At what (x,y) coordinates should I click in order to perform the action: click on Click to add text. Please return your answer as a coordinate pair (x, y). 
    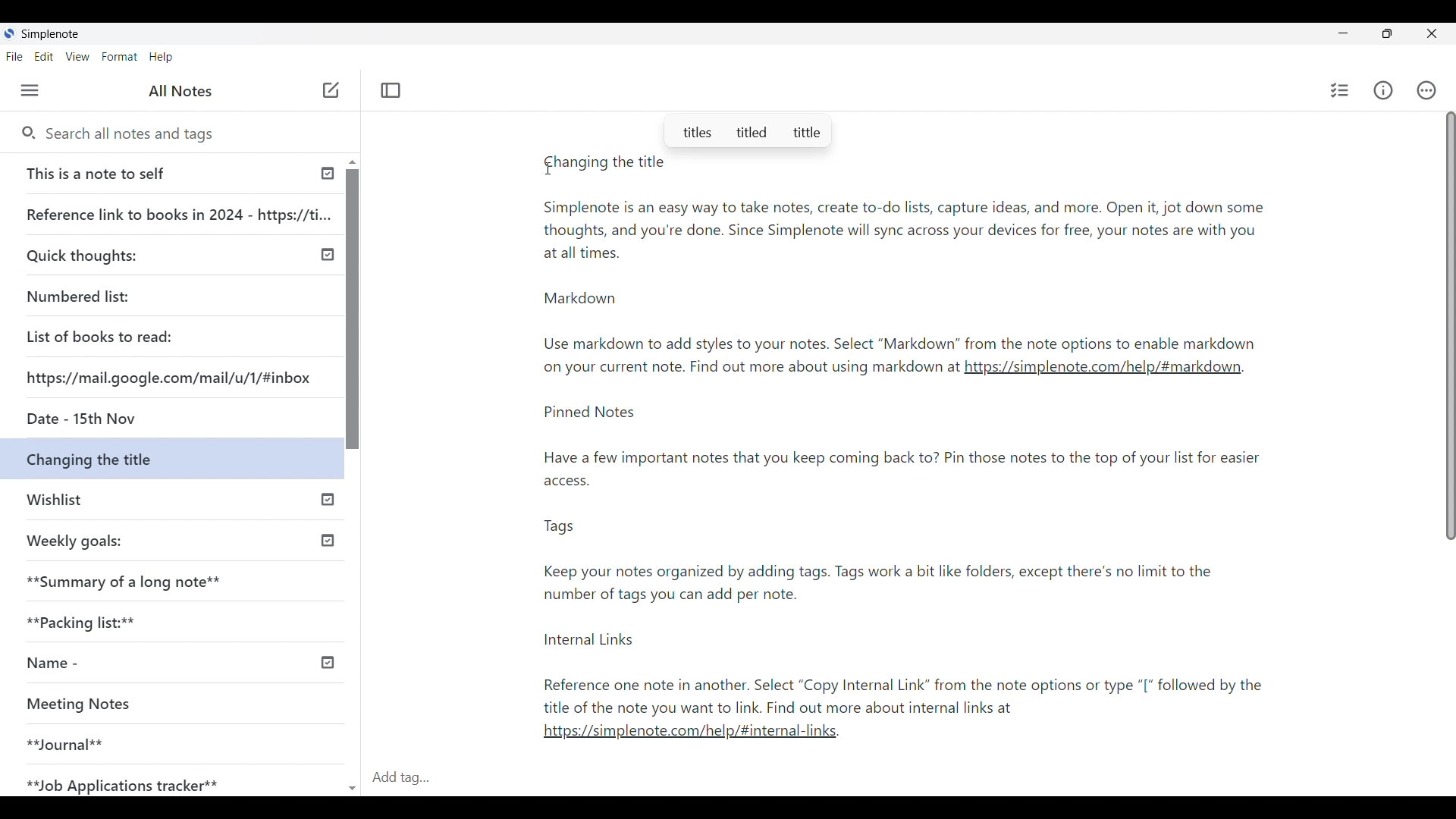
    Looking at the image, I should click on (331, 90).